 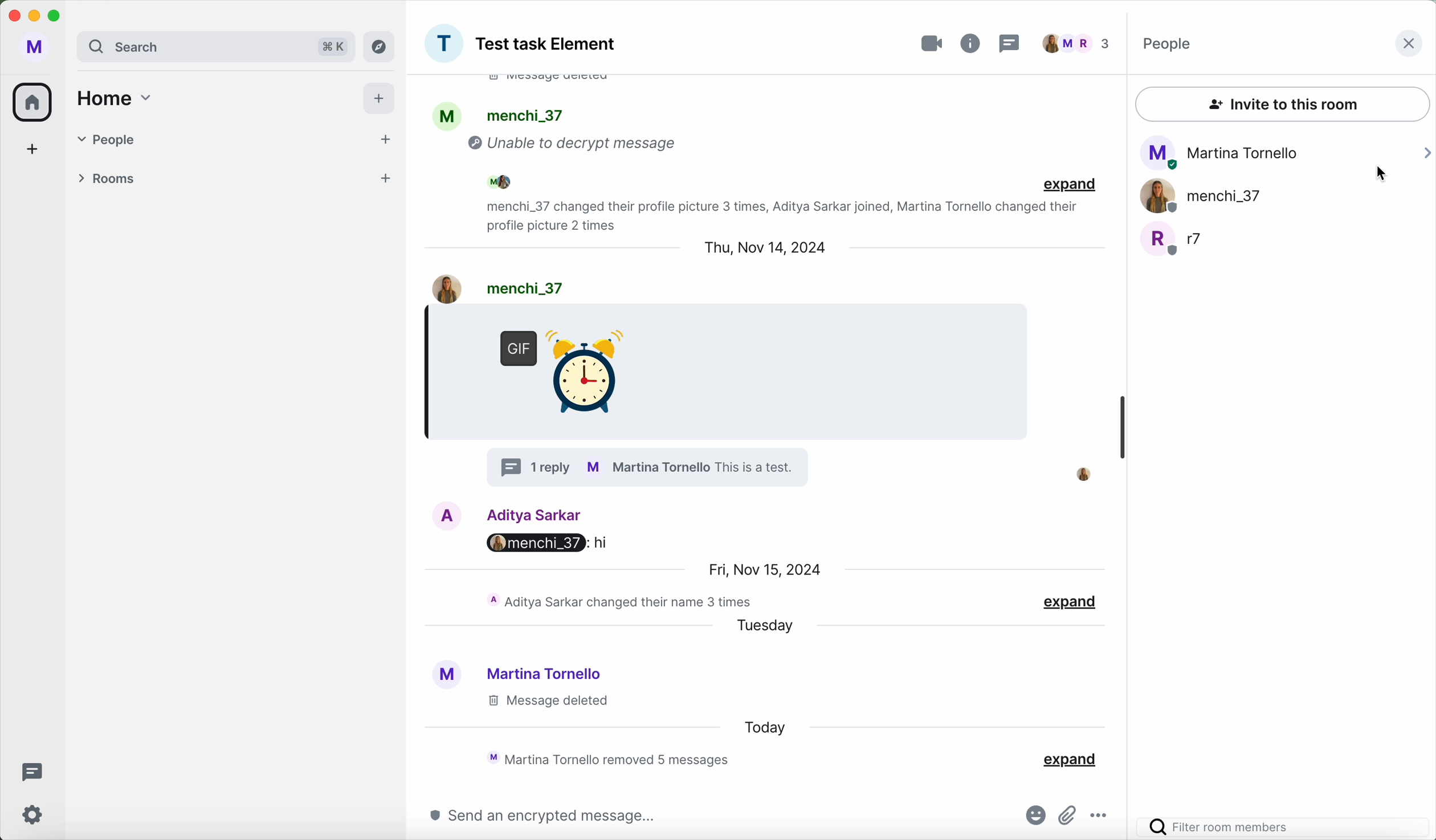 What do you see at coordinates (537, 513) in the screenshot?
I see `Aditya user` at bounding box center [537, 513].